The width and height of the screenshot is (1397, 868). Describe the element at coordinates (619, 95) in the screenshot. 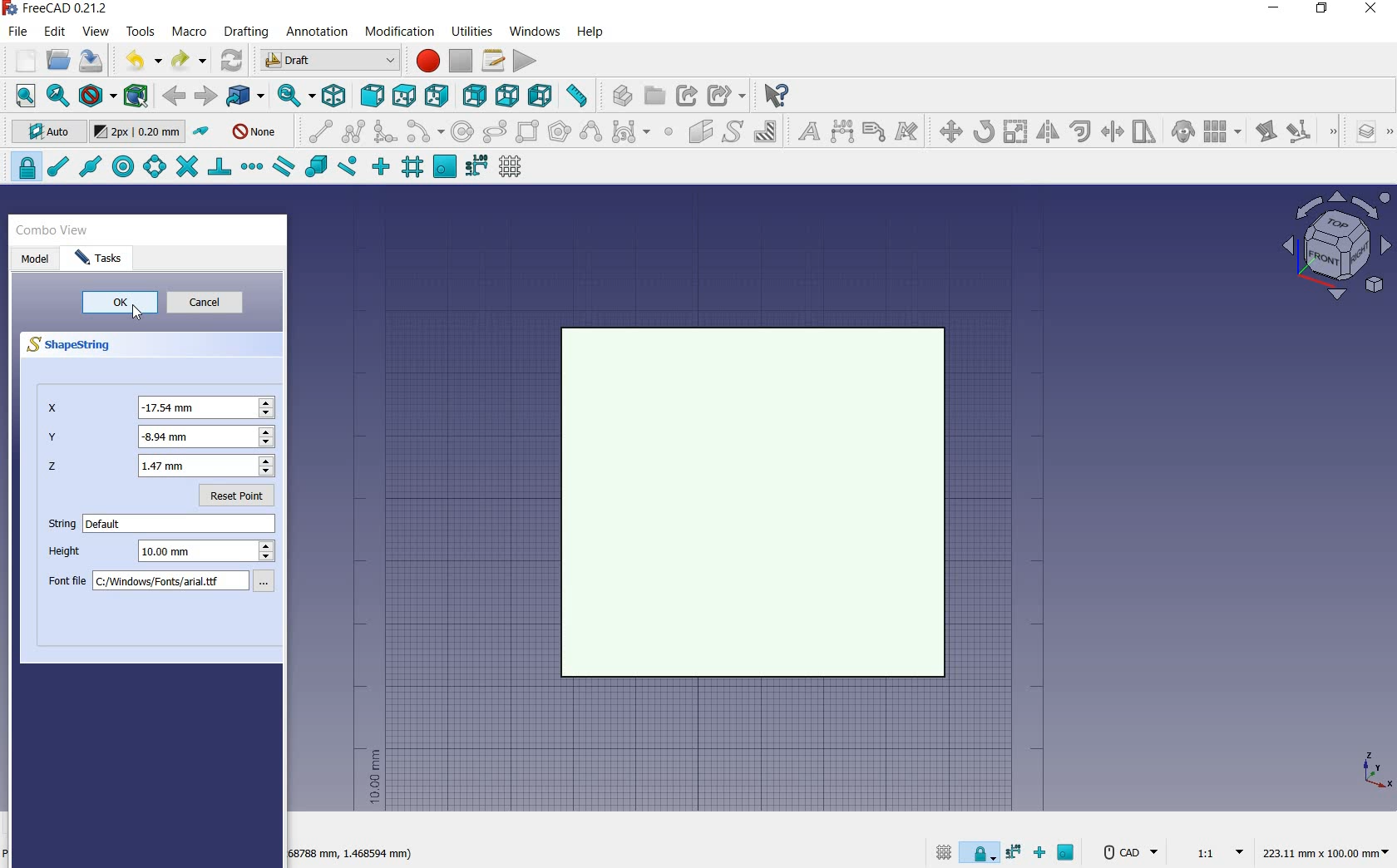

I see `create part` at that location.